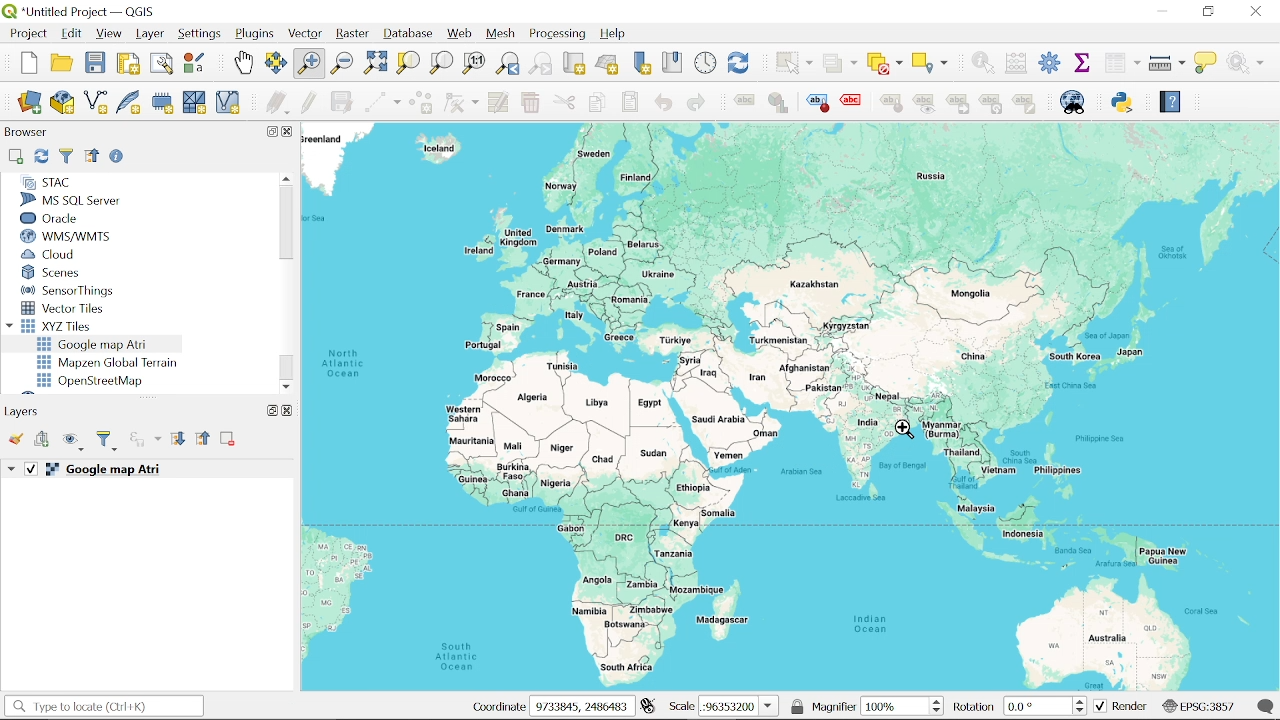  Describe the element at coordinates (352, 36) in the screenshot. I see `Raster` at that location.